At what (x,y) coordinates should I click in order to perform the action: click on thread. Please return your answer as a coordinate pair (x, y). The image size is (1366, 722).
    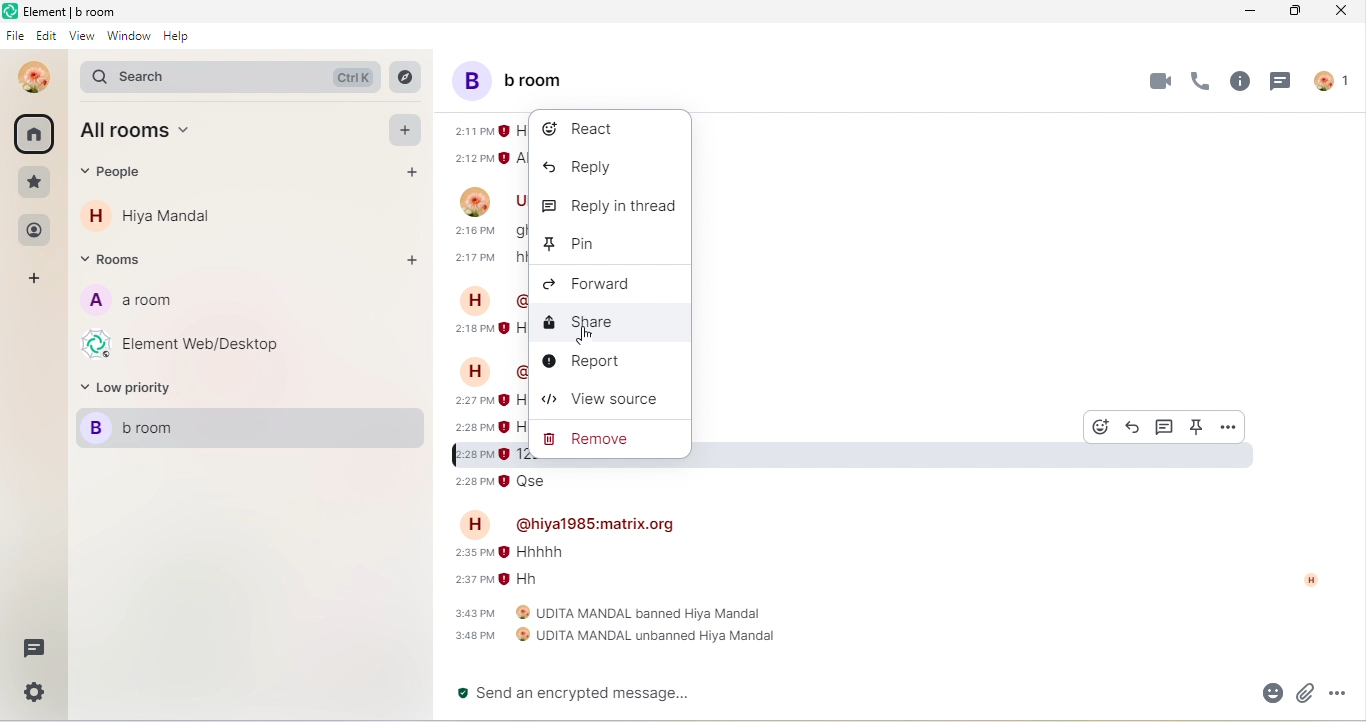
    Looking at the image, I should click on (1165, 427).